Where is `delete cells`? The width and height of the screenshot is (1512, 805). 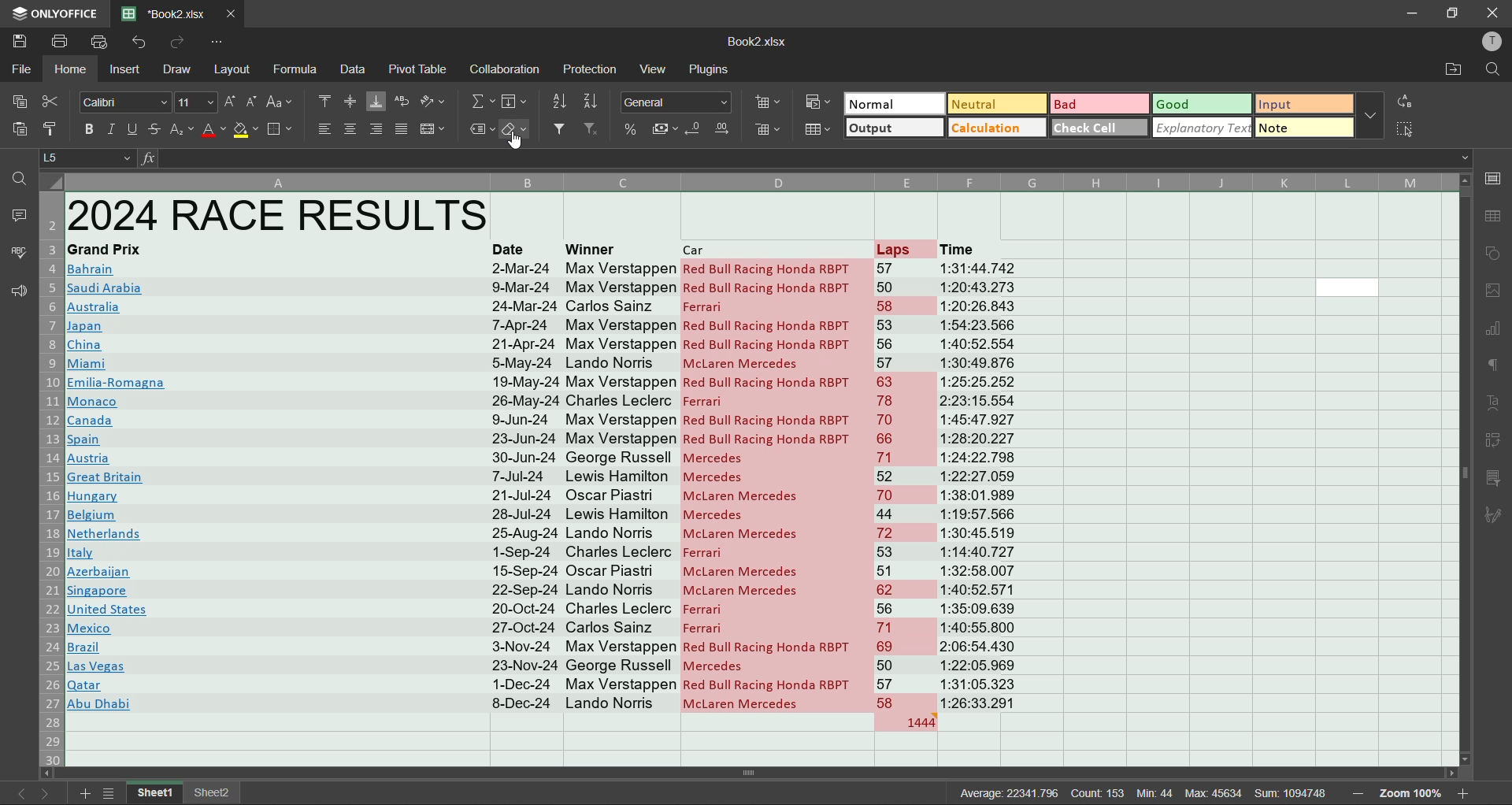 delete cells is located at coordinates (764, 128).